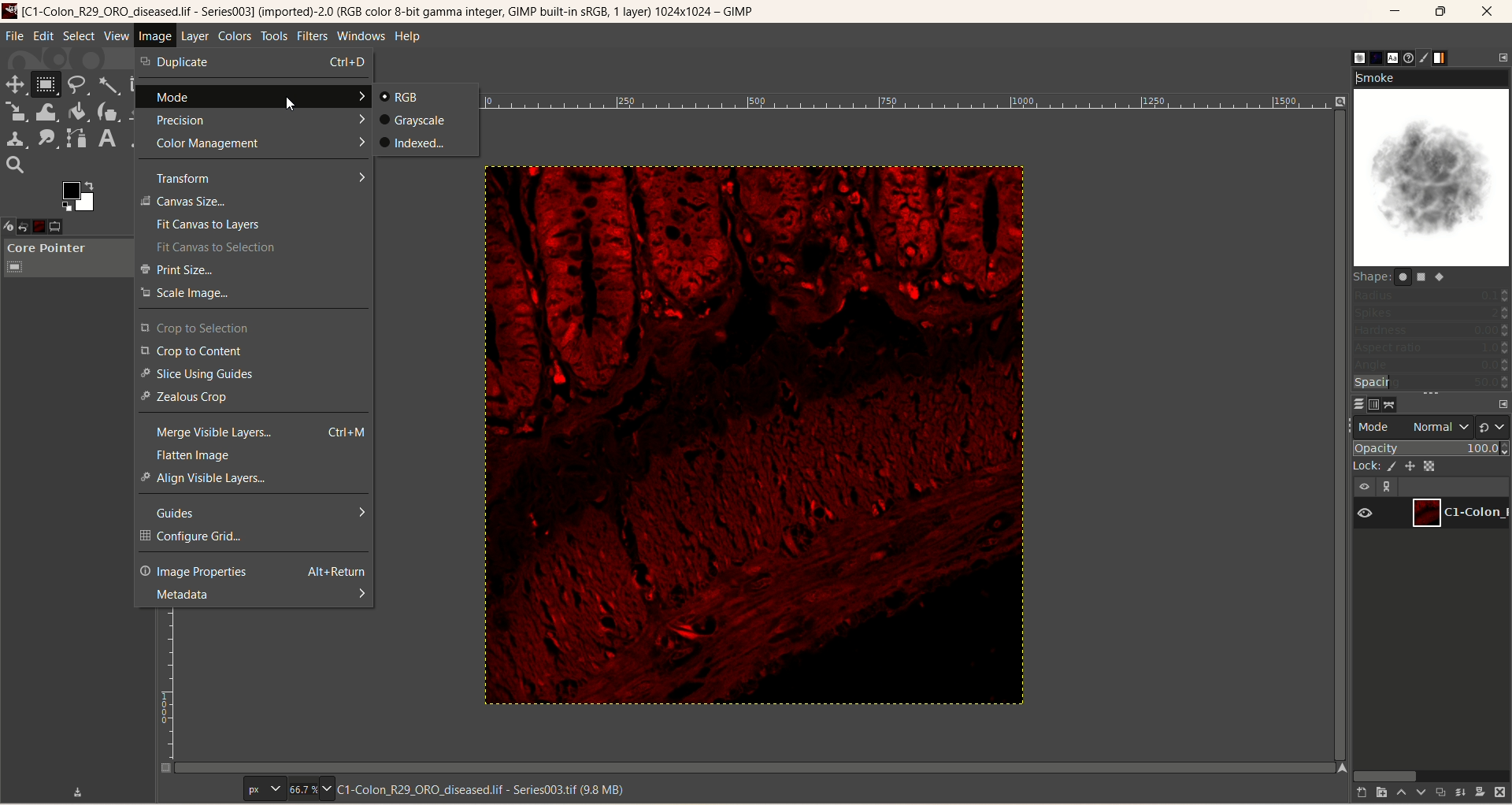 Image resolution: width=1512 pixels, height=805 pixels. I want to click on layer1, so click(1462, 513).